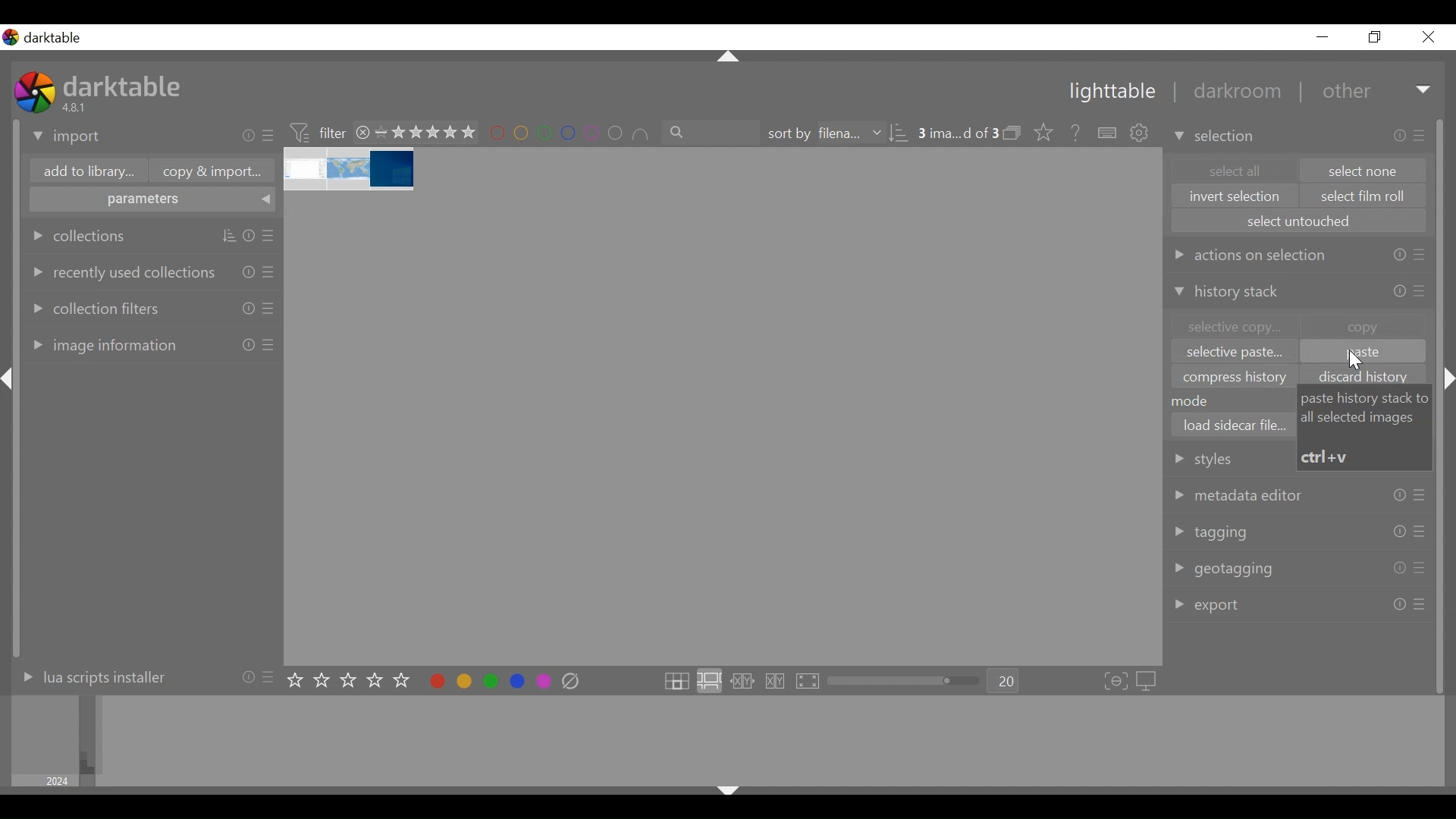  Describe the element at coordinates (363, 132) in the screenshot. I see `close` at that location.